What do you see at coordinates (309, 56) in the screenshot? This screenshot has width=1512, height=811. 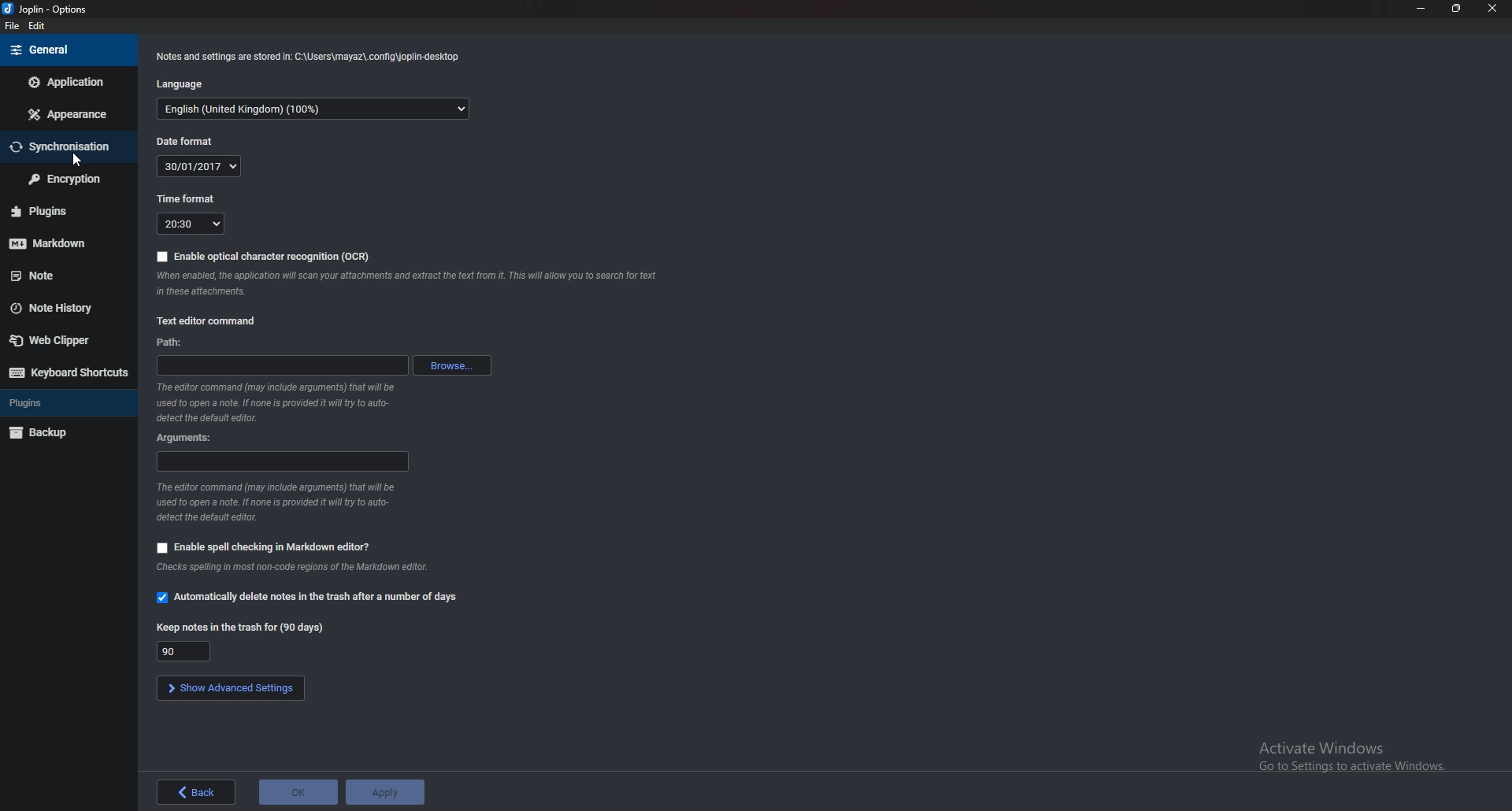 I see `info` at bounding box center [309, 56].